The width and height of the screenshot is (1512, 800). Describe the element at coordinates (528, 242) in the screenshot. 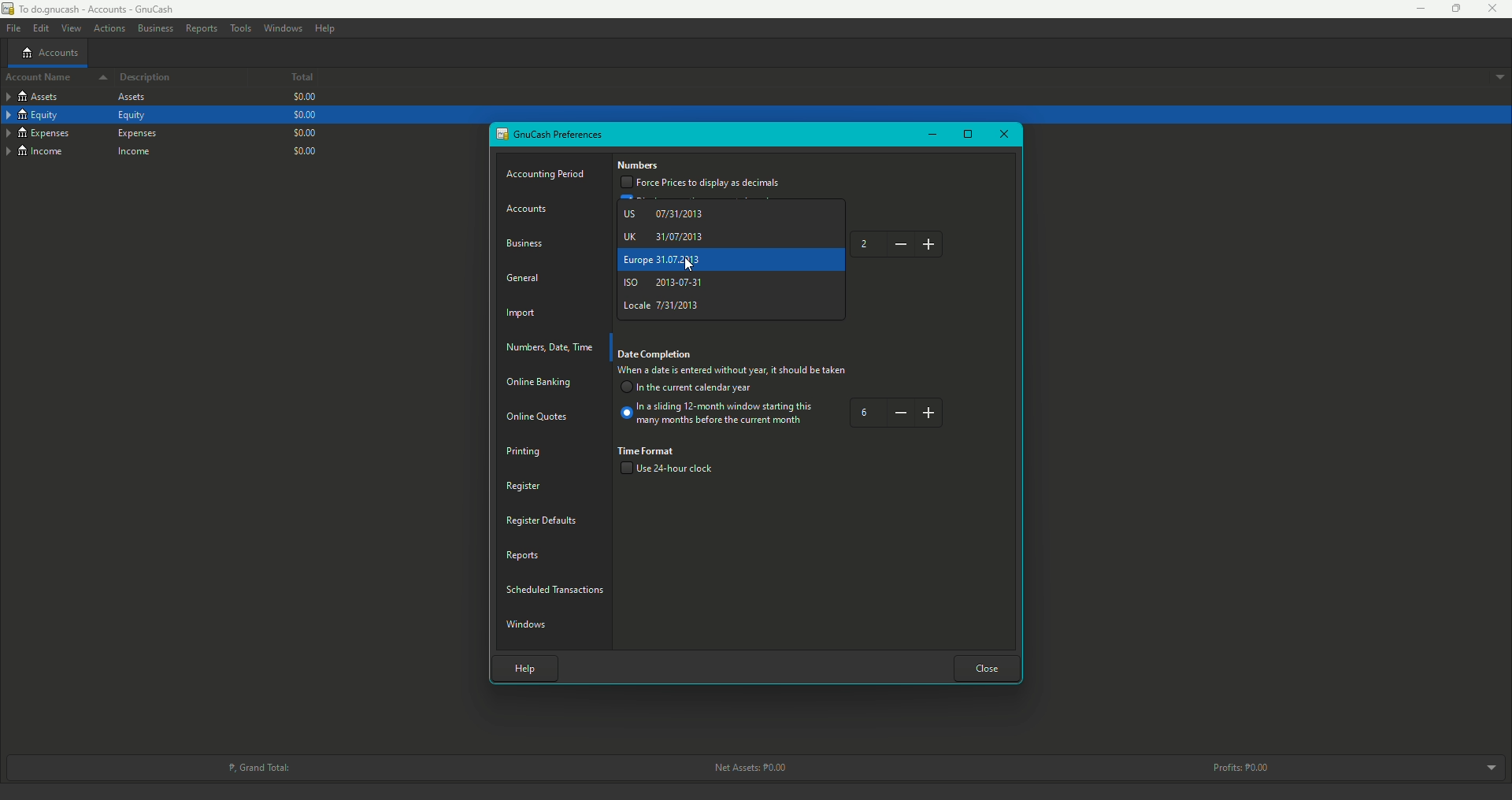

I see `Business` at that location.